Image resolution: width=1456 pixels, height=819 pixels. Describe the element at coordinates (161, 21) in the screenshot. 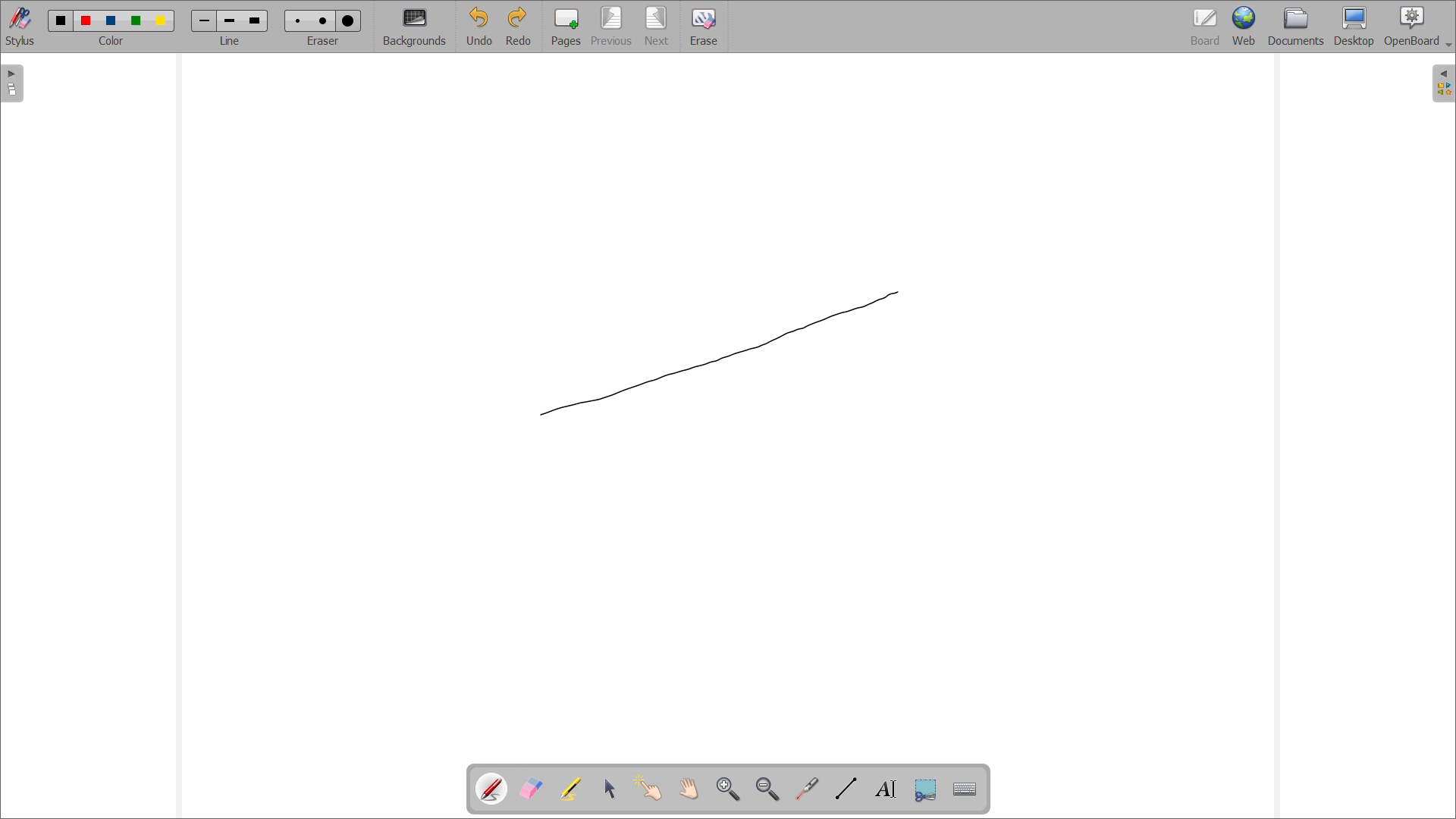

I see `color` at that location.